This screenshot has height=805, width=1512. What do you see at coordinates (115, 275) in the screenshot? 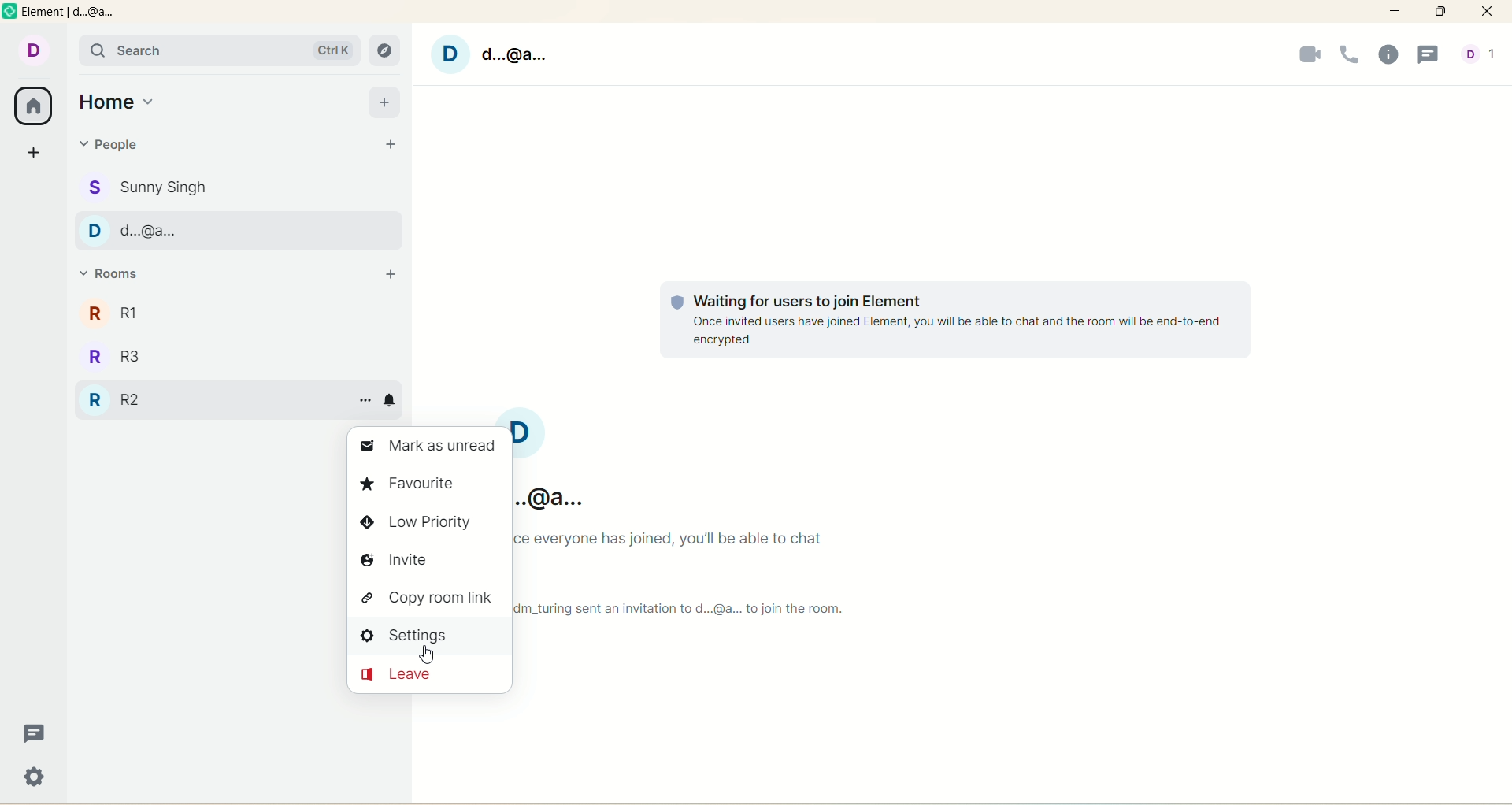
I see `rooms` at bounding box center [115, 275].